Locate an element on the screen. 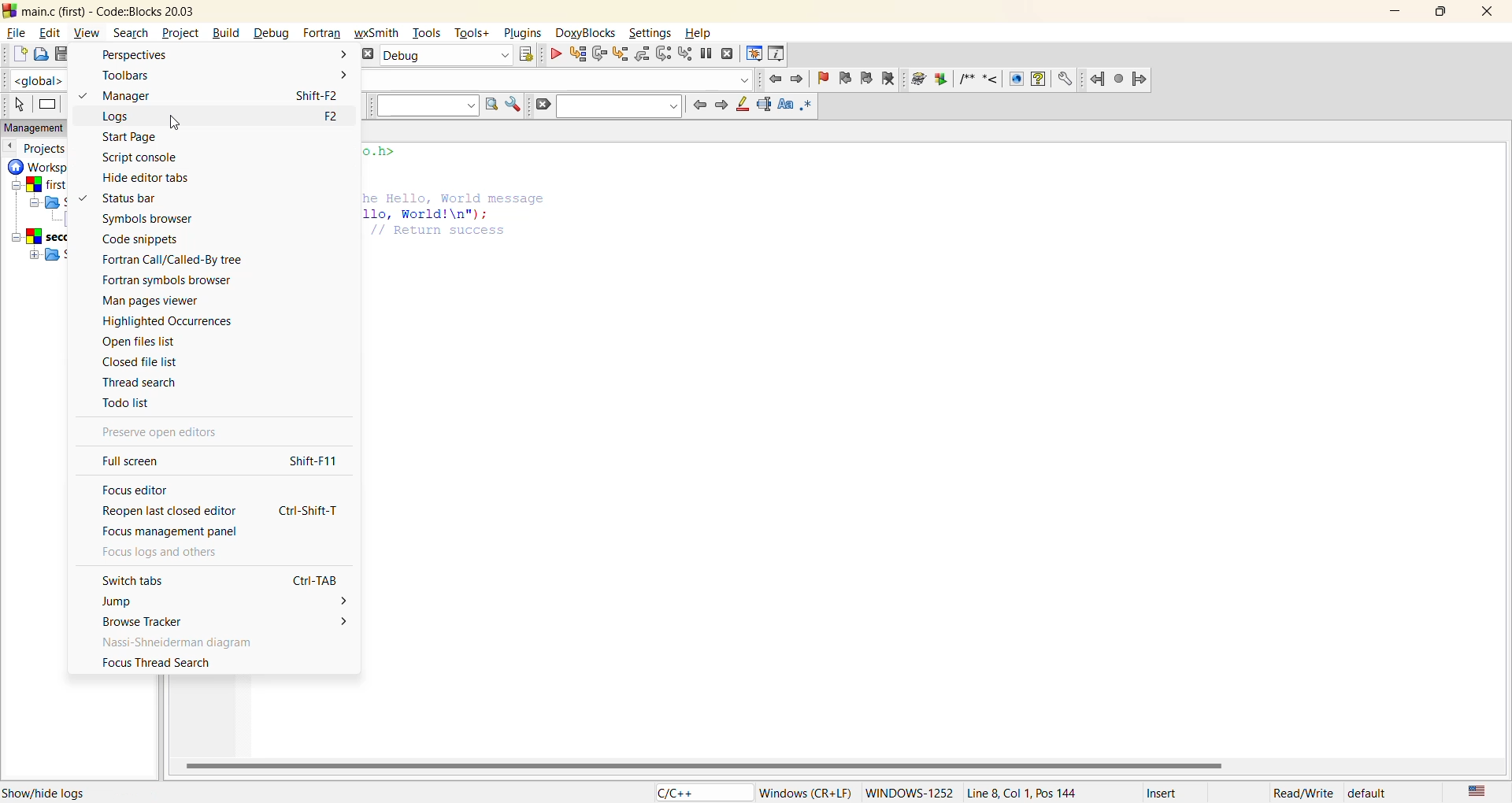 This screenshot has width=1512, height=803. jump back is located at coordinates (1098, 77).